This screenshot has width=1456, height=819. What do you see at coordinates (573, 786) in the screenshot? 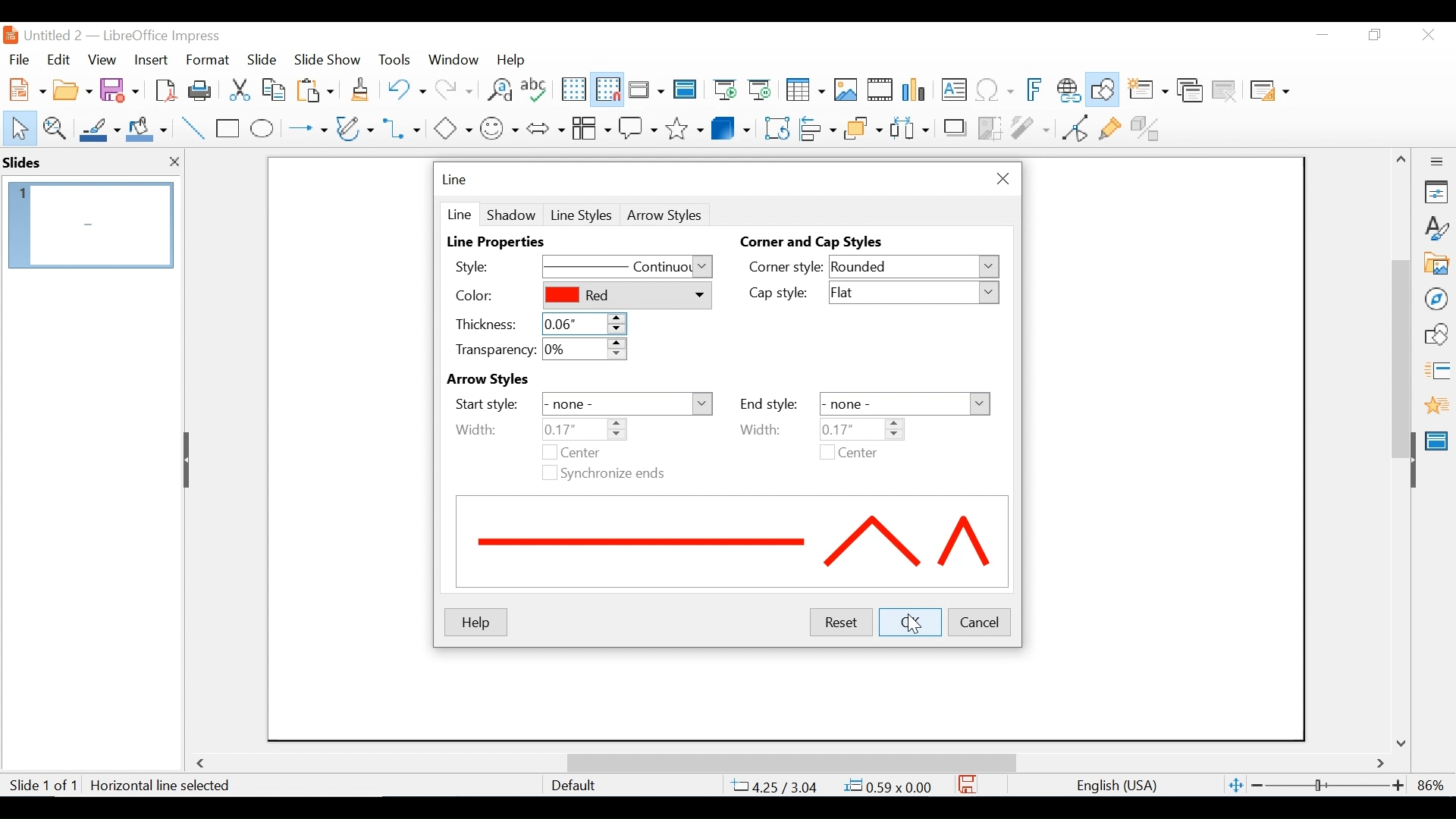
I see `Default` at bounding box center [573, 786].